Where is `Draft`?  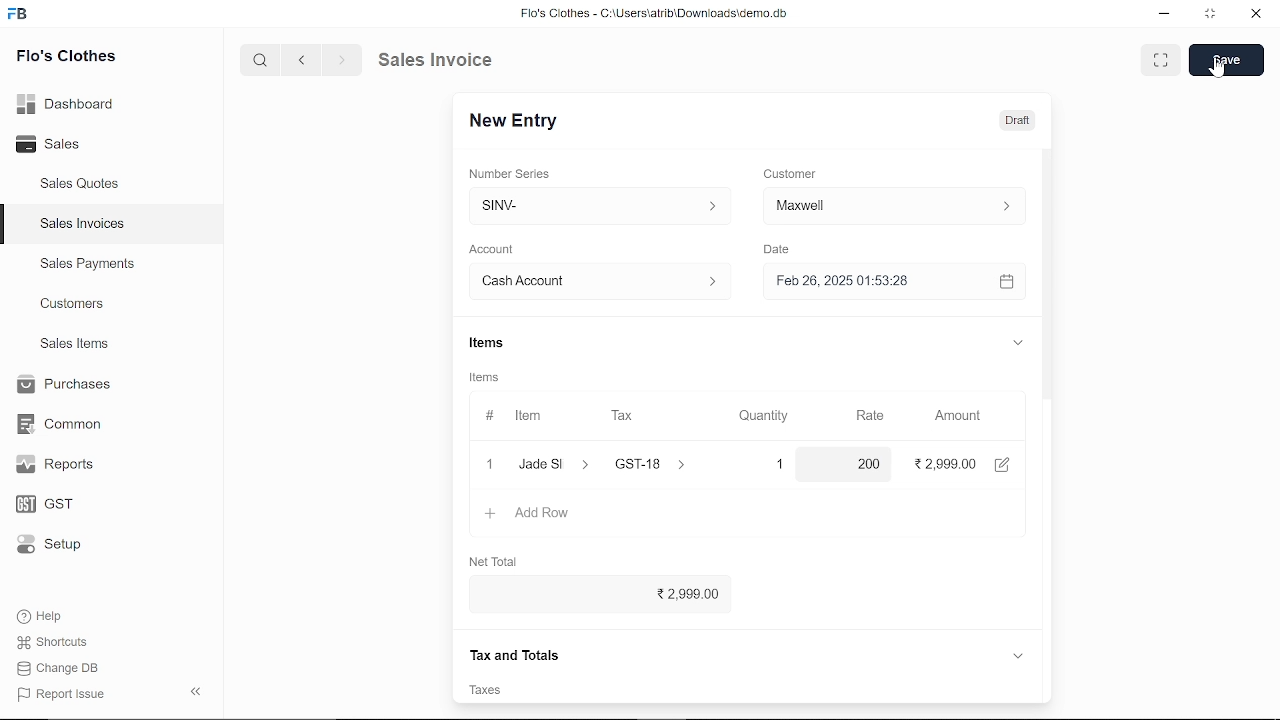 Draft is located at coordinates (1006, 119).